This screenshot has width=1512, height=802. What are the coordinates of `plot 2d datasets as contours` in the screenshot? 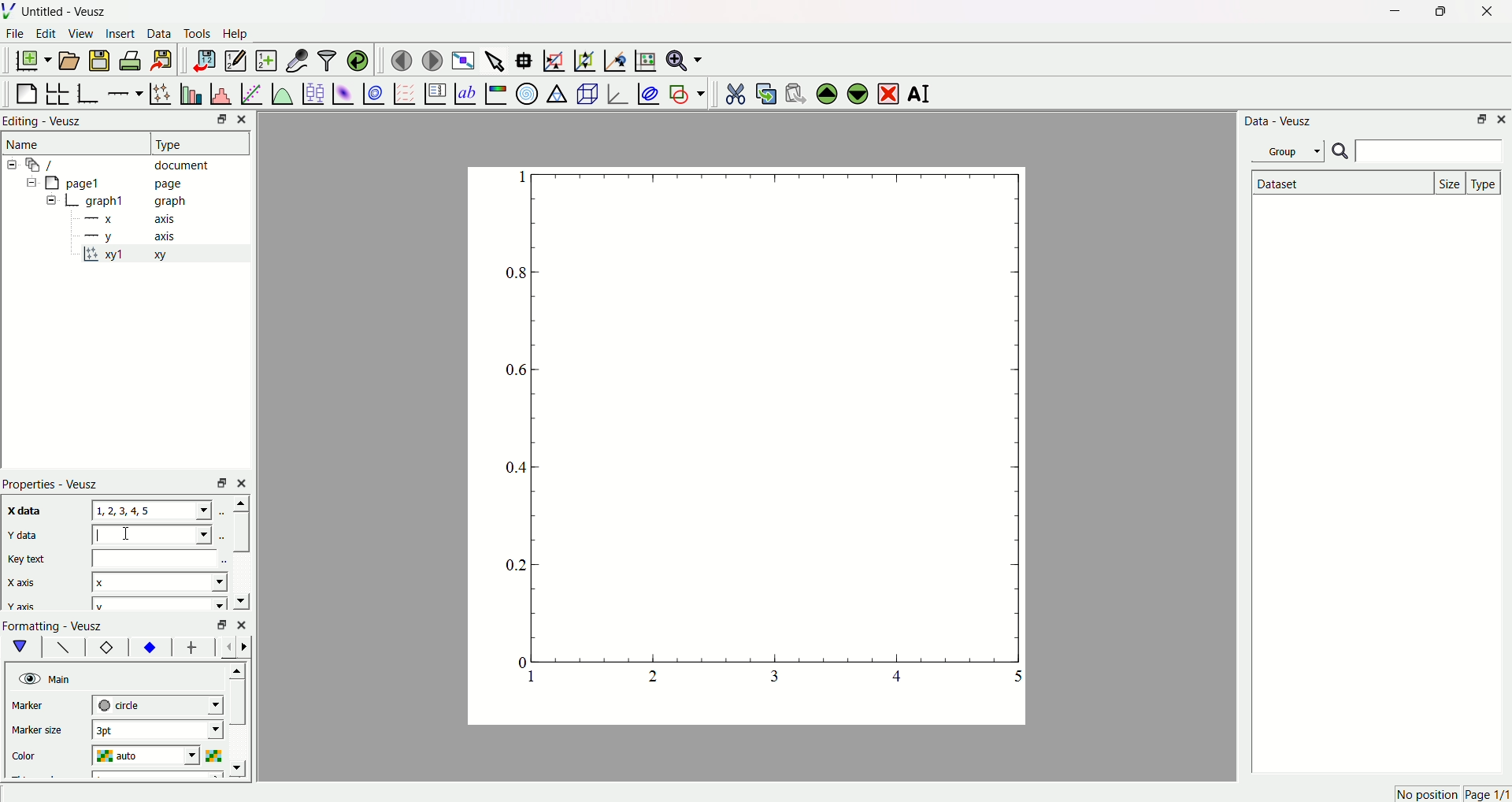 It's located at (372, 93).